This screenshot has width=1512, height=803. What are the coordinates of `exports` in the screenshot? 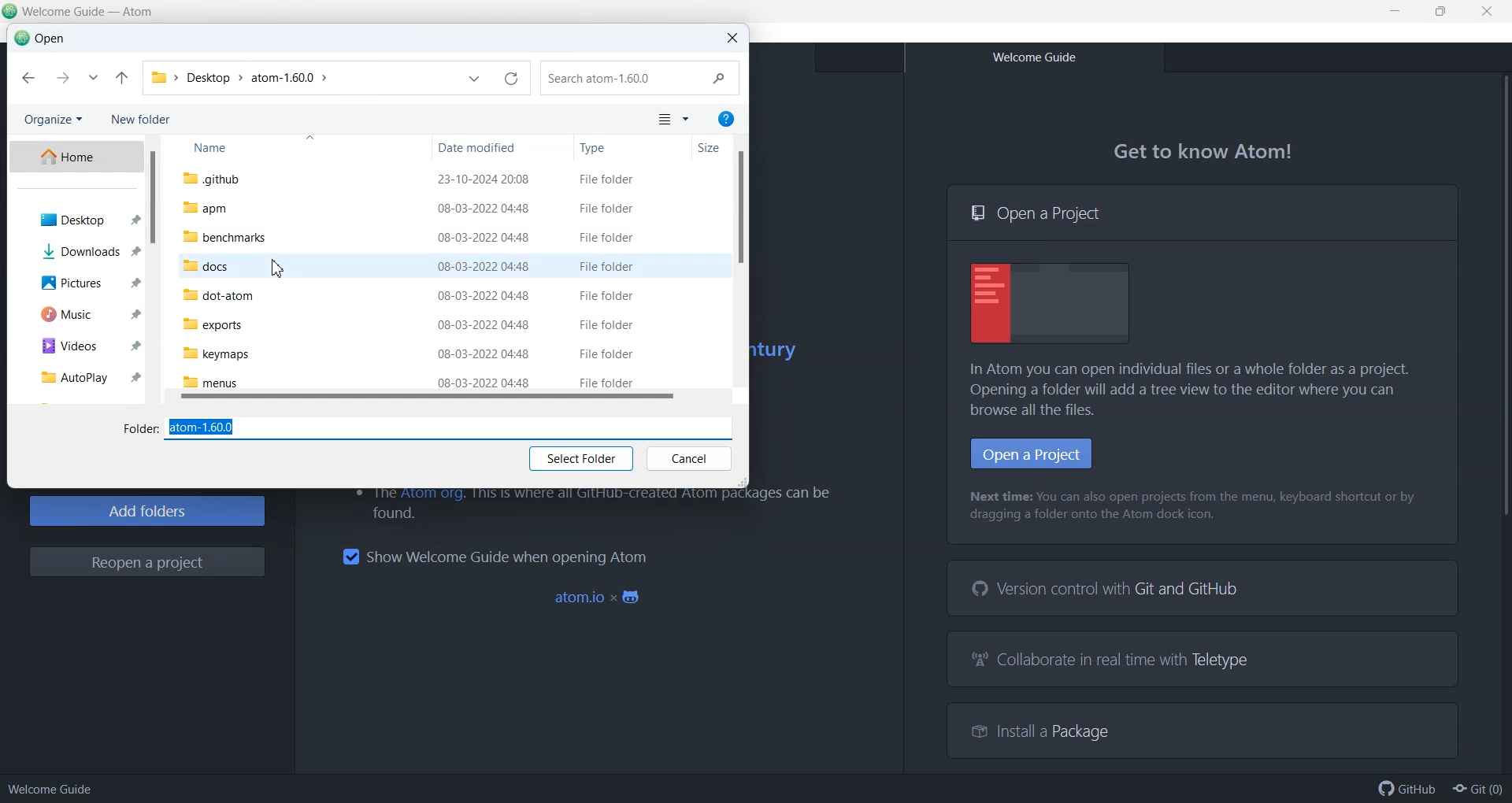 It's located at (213, 324).